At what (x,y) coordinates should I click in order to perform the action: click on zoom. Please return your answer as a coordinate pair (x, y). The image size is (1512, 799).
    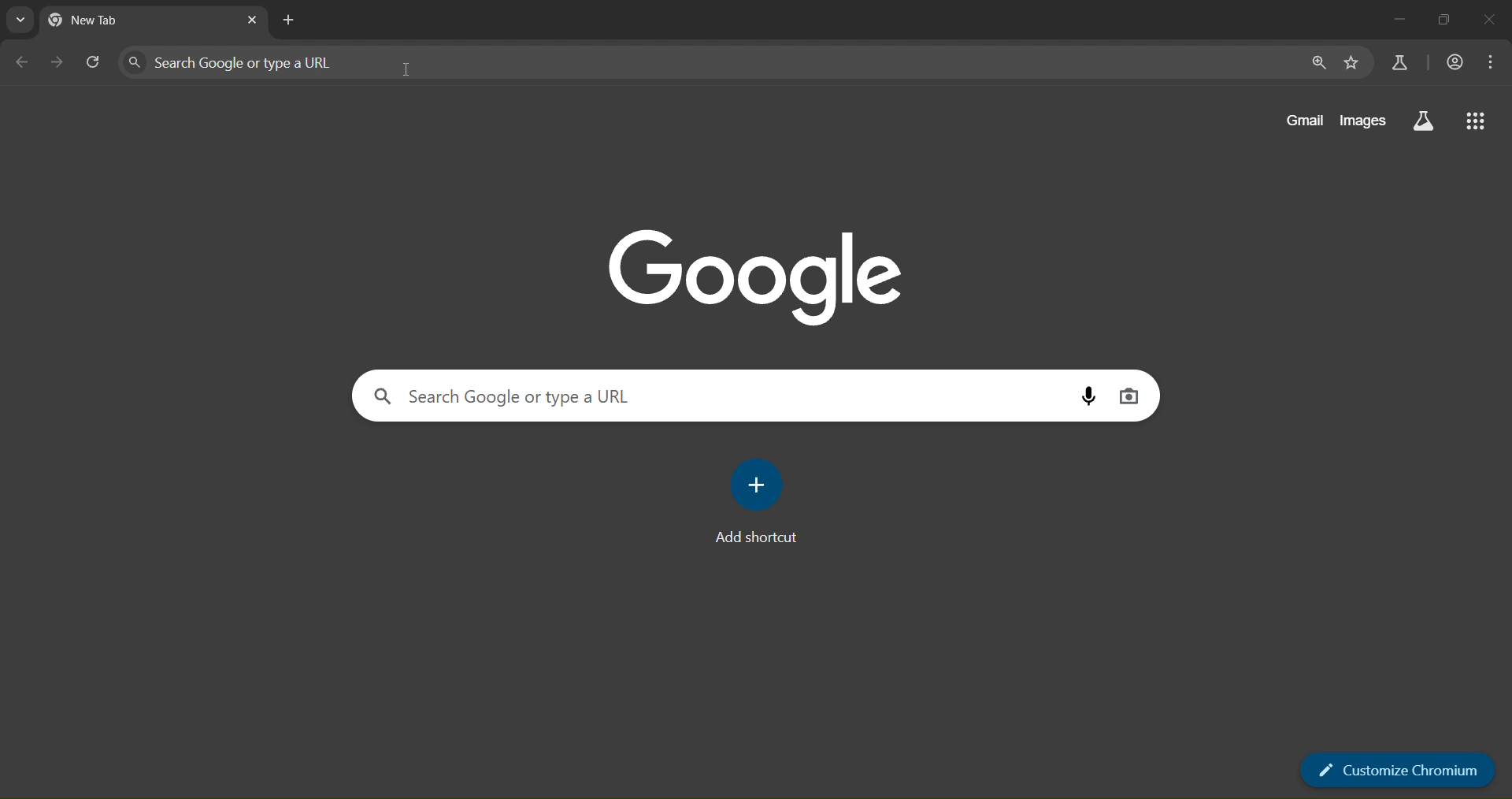
    Looking at the image, I should click on (1315, 61).